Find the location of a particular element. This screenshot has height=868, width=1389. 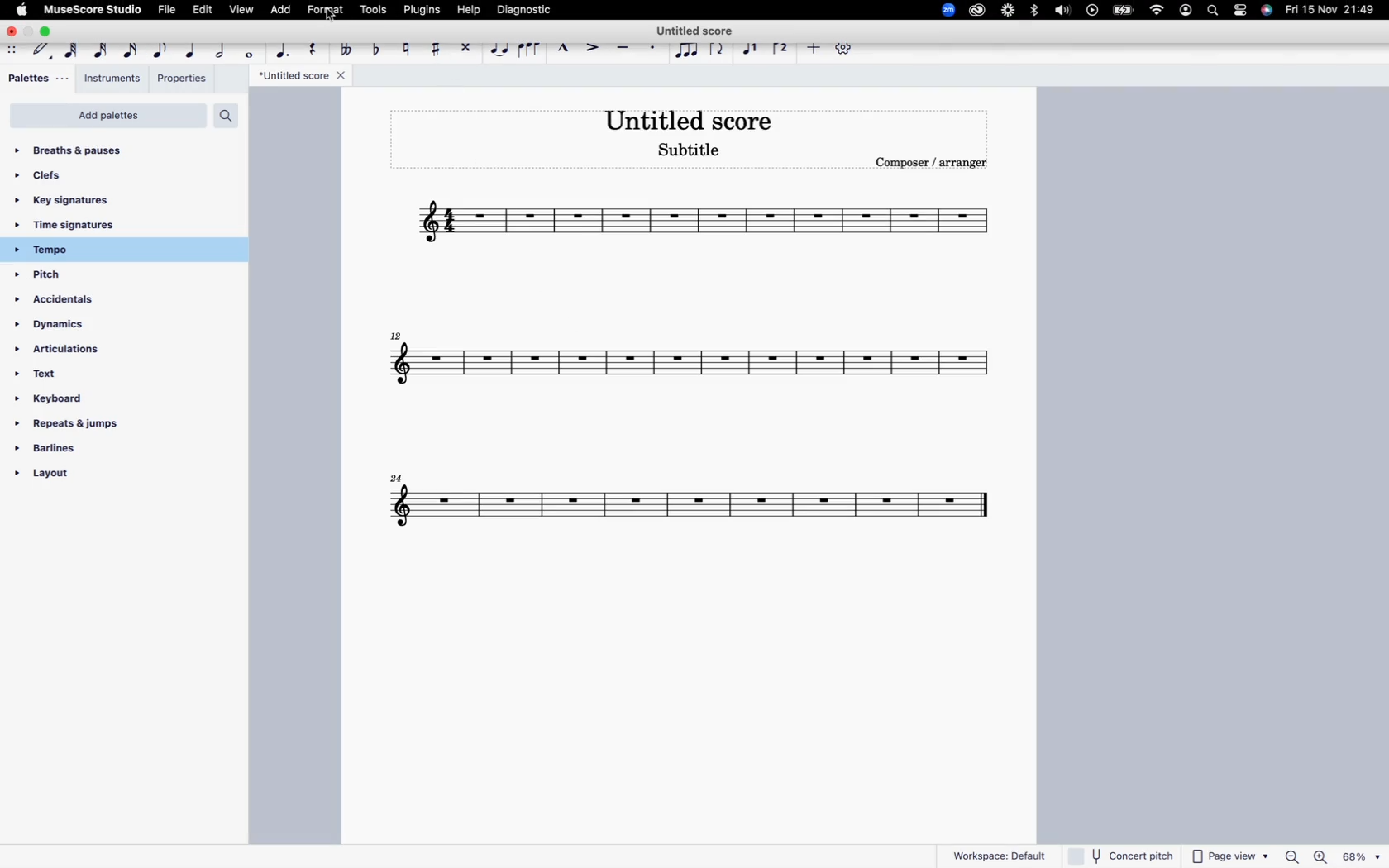

move is located at coordinates (13, 50).